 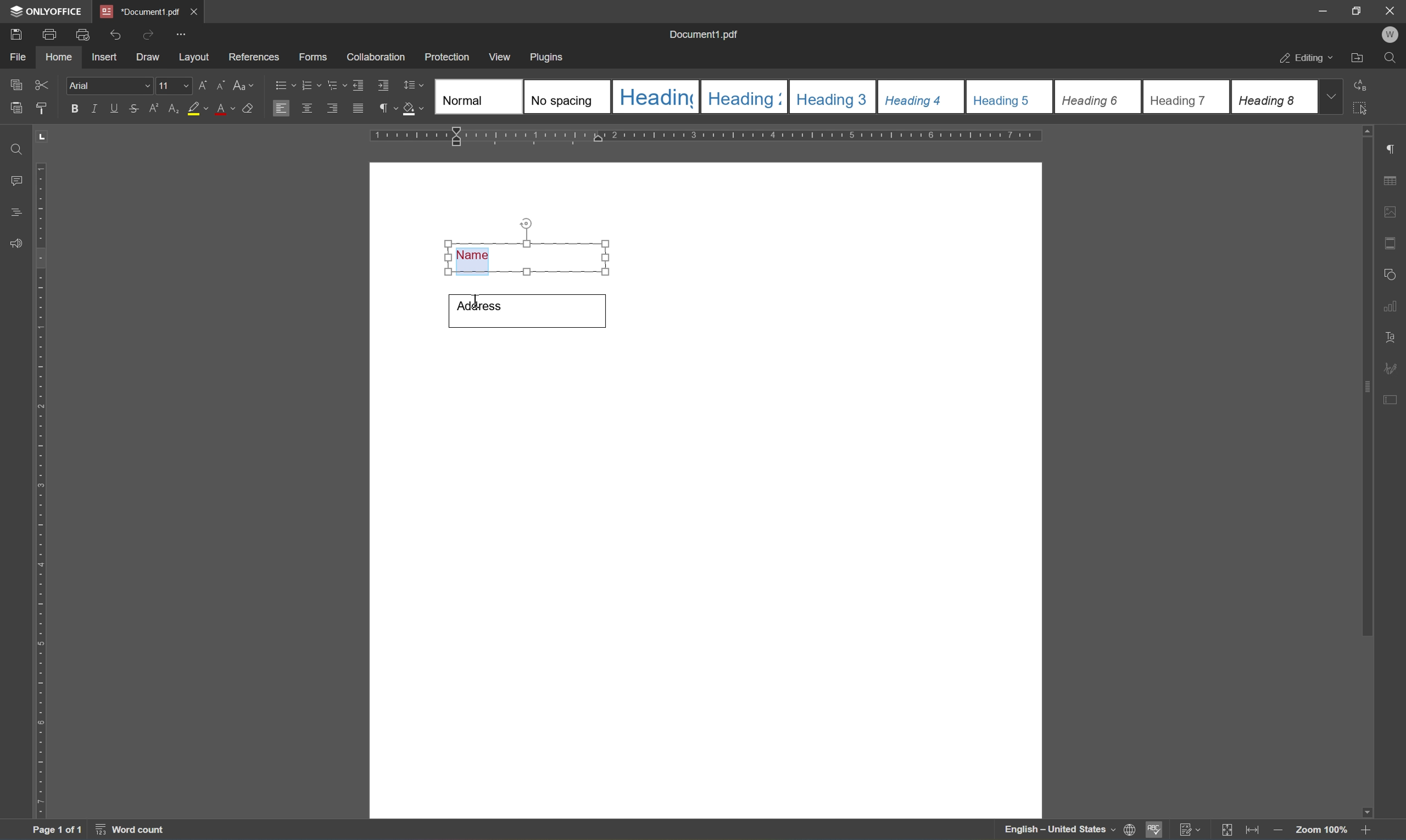 What do you see at coordinates (149, 58) in the screenshot?
I see `draw` at bounding box center [149, 58].